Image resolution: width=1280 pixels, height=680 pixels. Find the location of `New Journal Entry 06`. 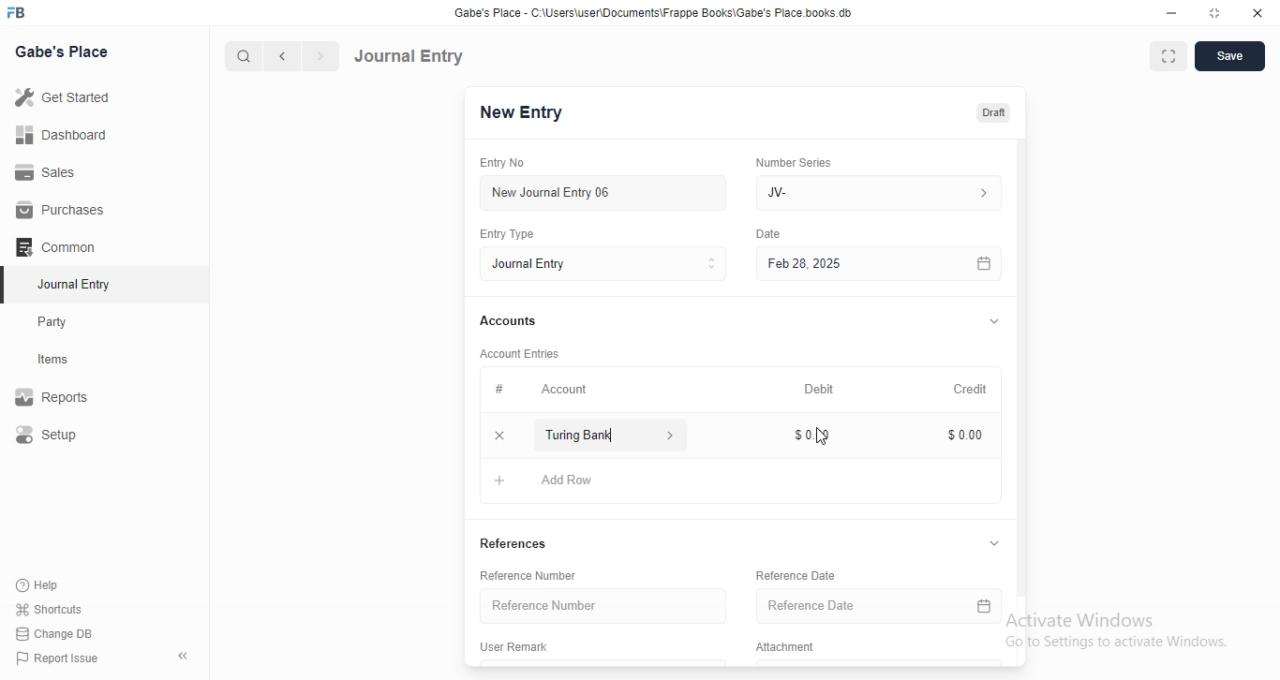

New Journal Entry 06 is located at coordinates (597, 191).